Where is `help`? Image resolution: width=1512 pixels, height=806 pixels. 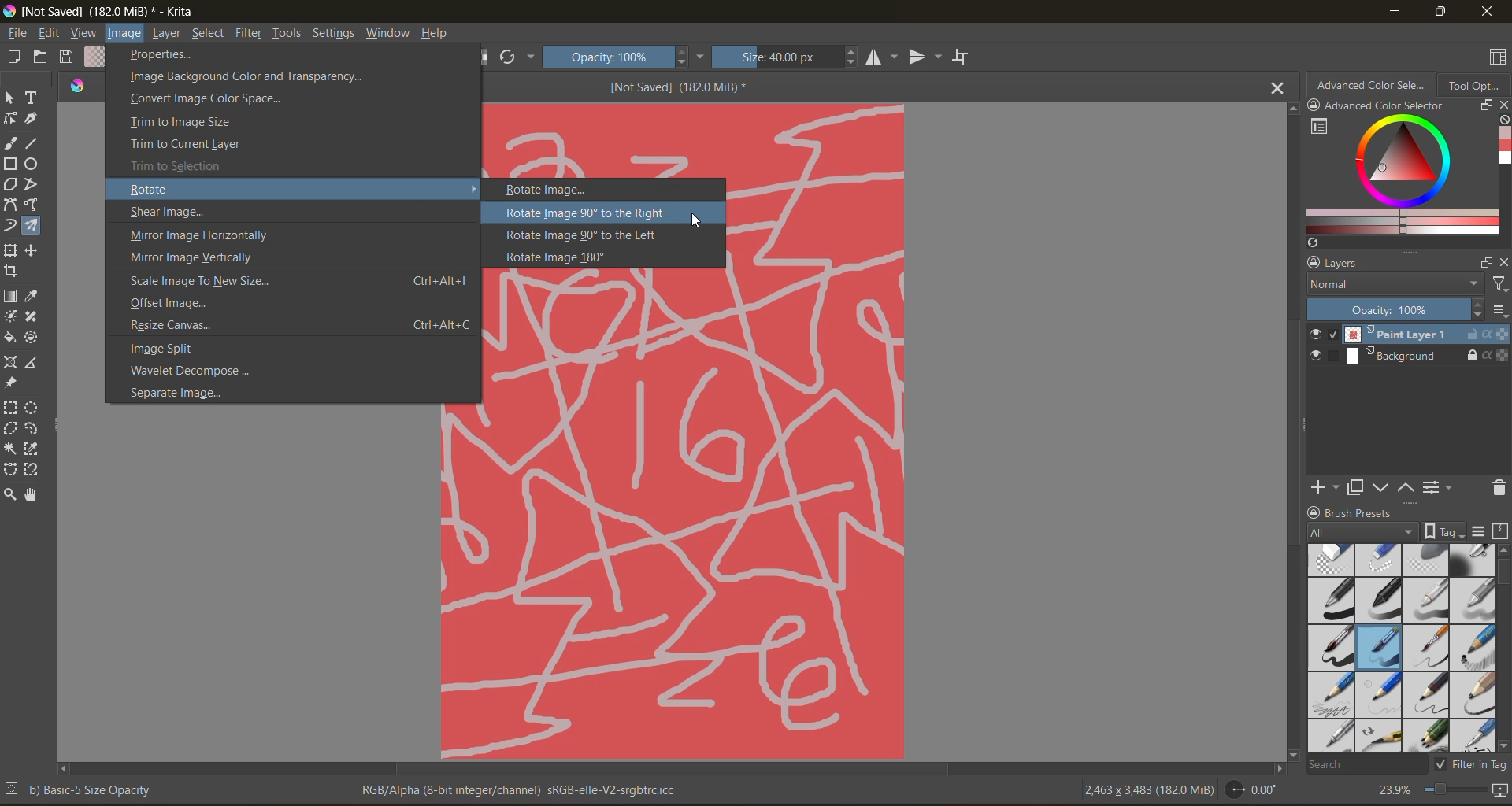
help is located at coordinates (443, 35).